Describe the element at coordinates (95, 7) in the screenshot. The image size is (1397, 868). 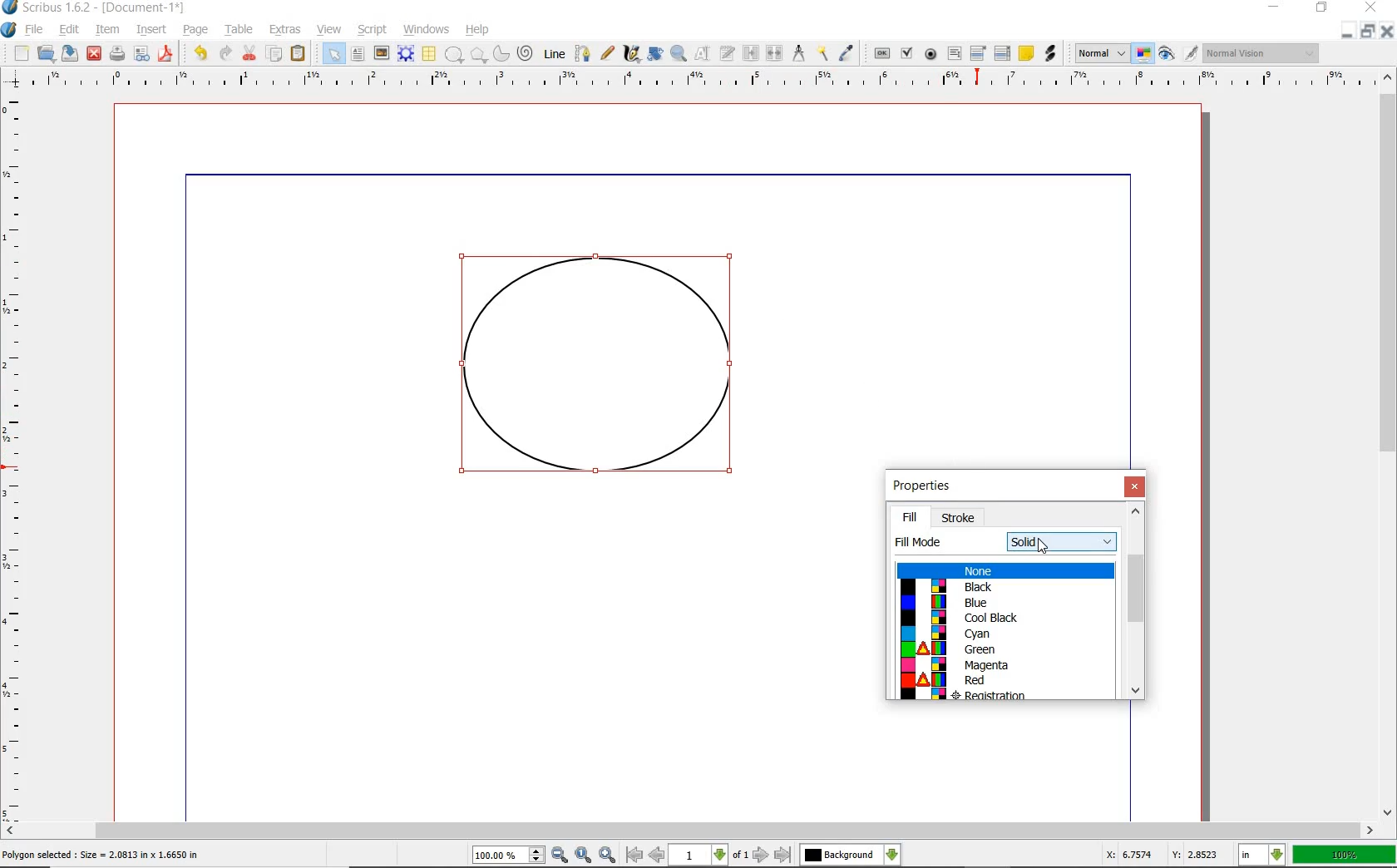
I see `SYSTEM NAME` at that location.